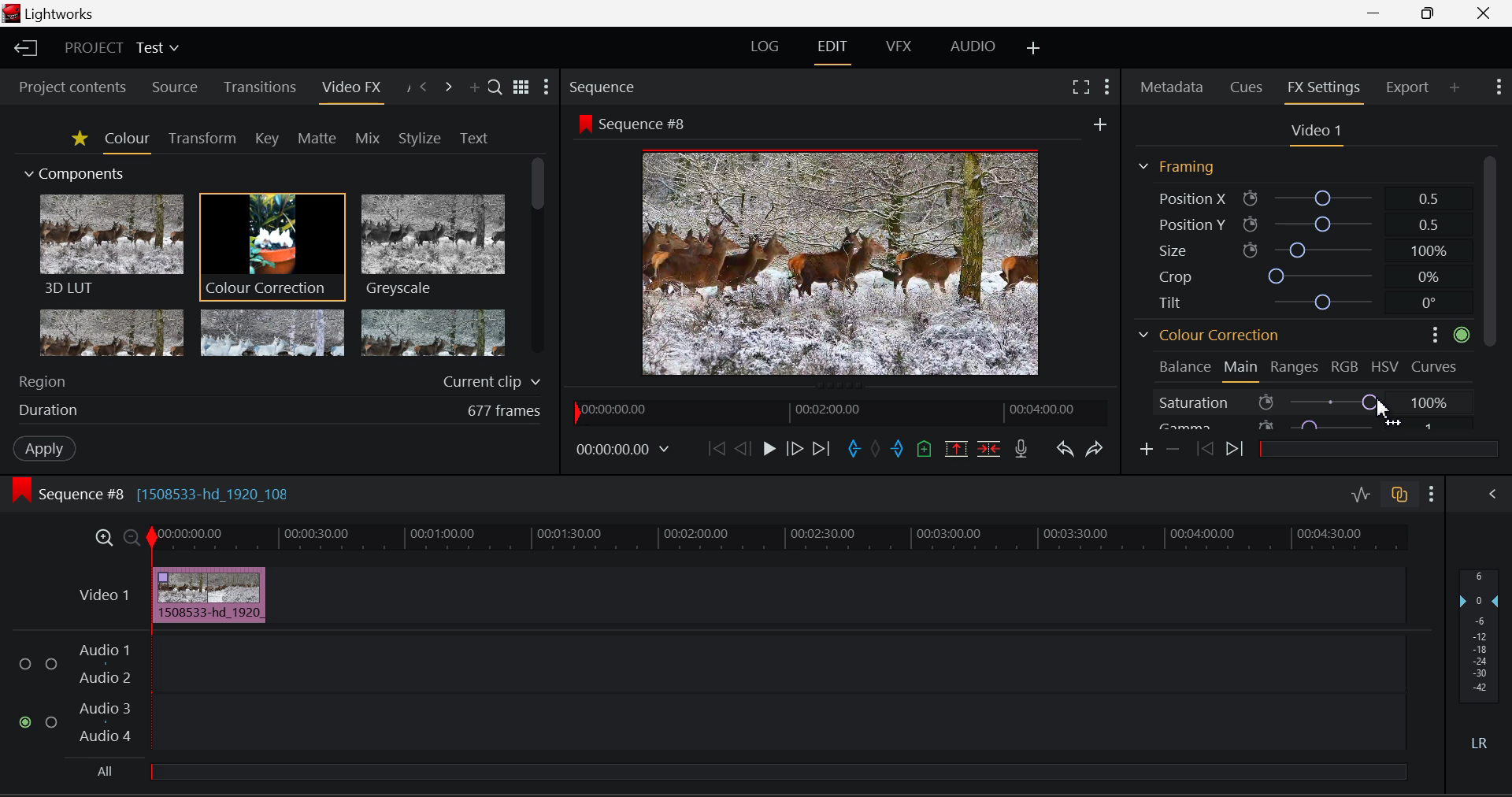 This screenshot has width=1512, height=797. Describe the element at coordinates (1106, 87) in the screenshot. I see `Show Settings` at that location.